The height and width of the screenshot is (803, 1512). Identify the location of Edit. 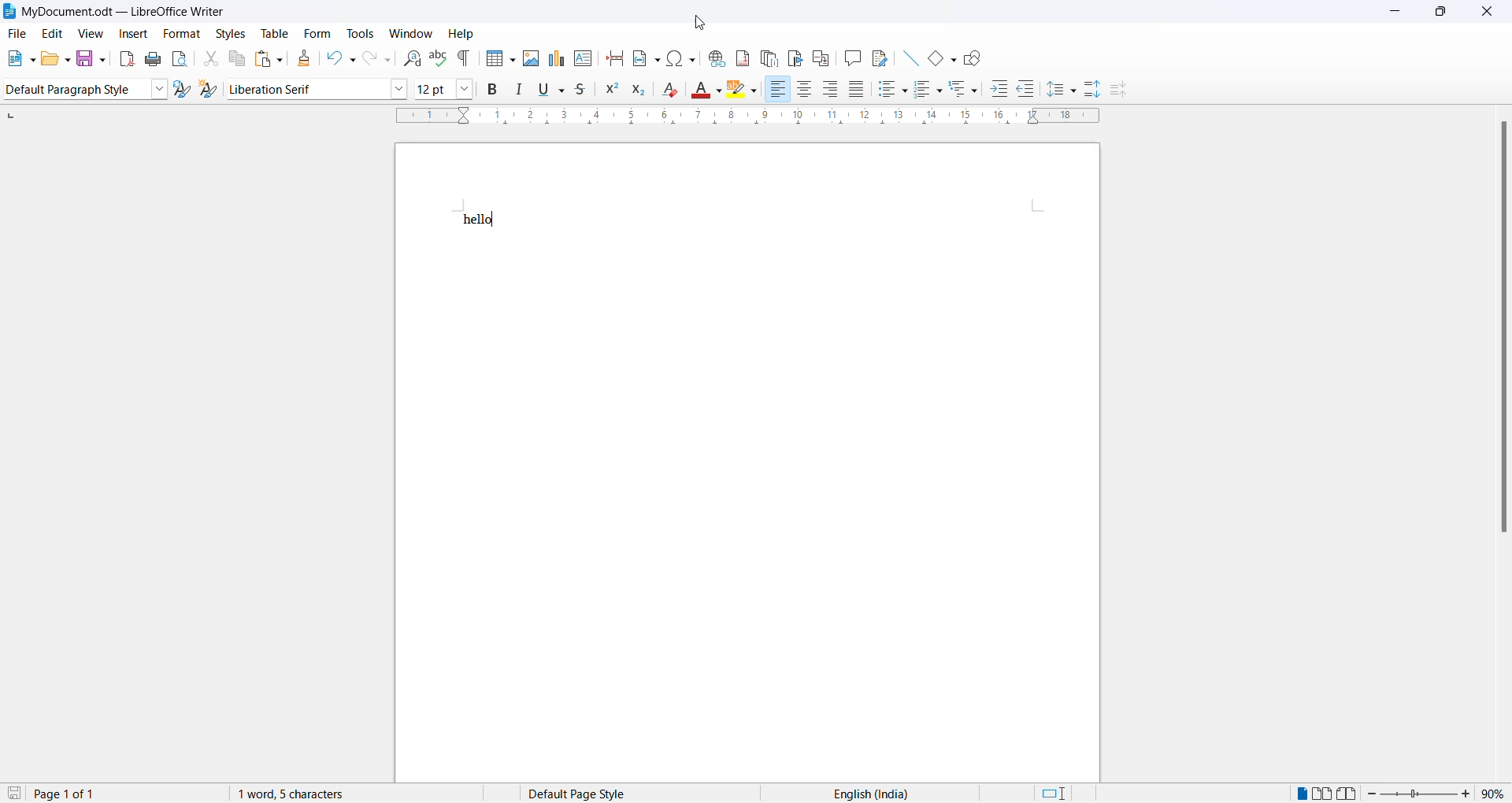
(54, 33).